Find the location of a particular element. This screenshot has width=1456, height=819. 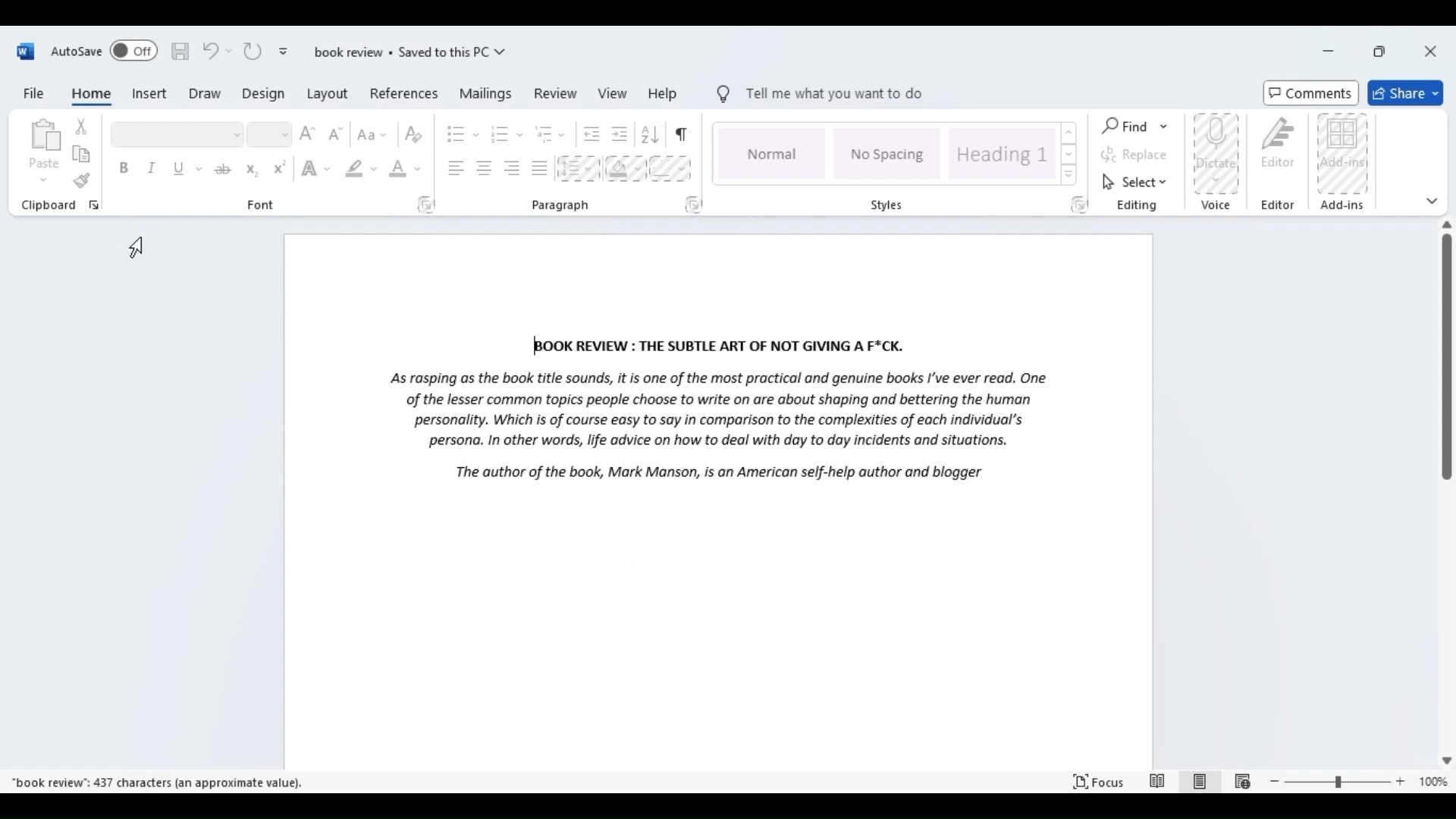

Layout is located at coordinates (325, 95).